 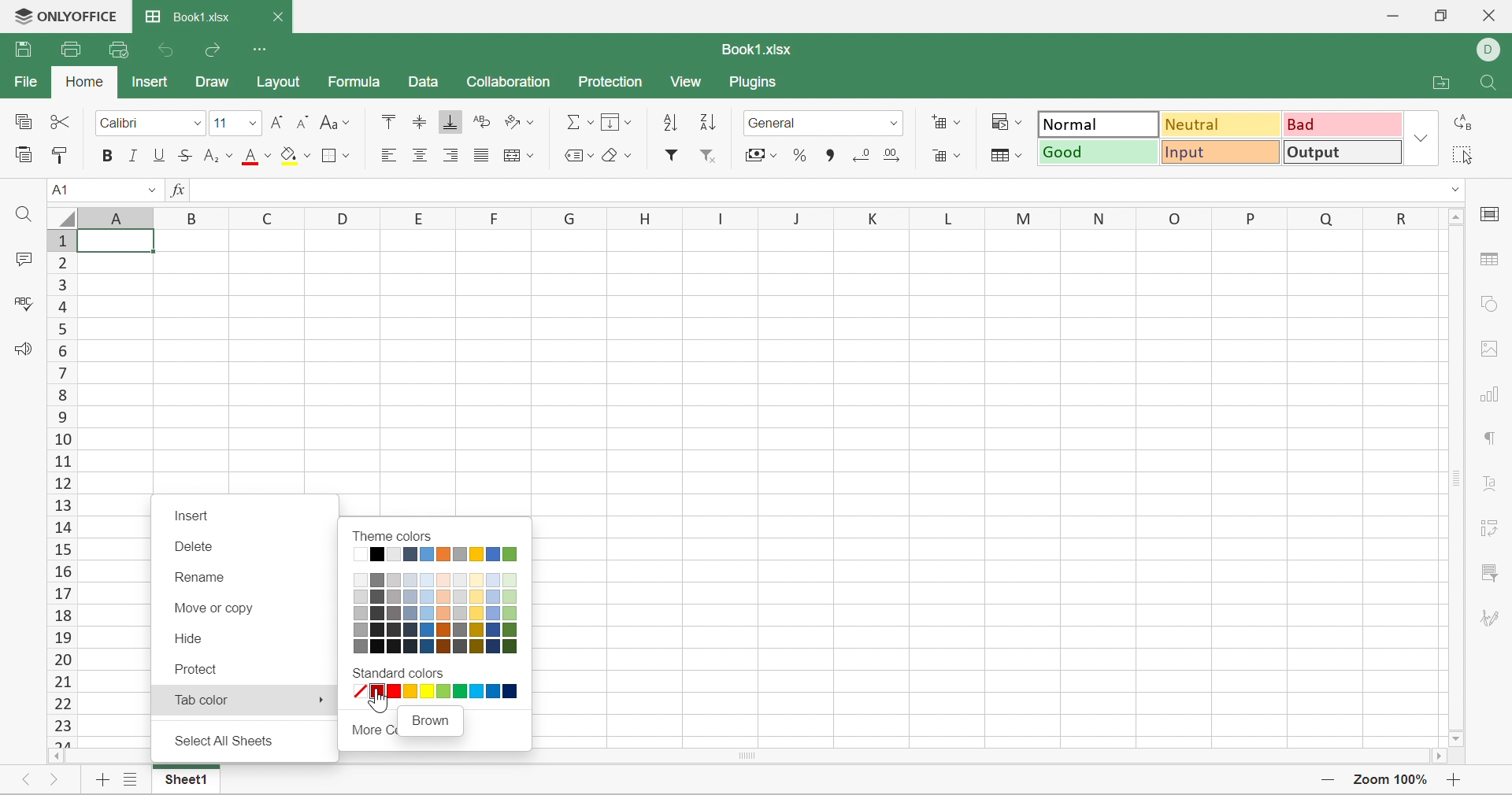 I want to click on Scroll up, so click(x=1456, y=216).